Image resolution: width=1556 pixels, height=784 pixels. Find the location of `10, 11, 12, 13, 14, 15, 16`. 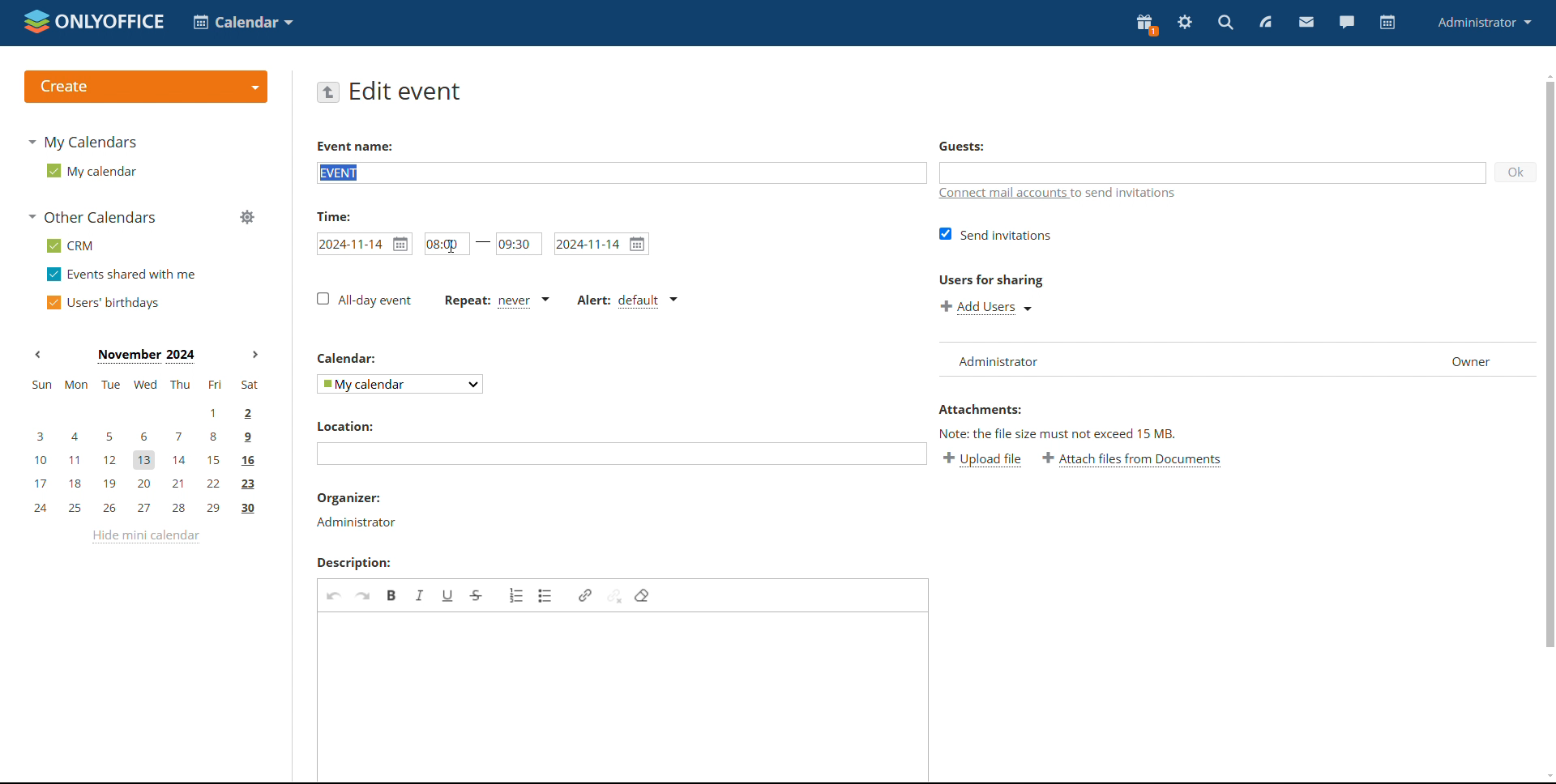

10, 11, 12, 13, 14, 15, 16 is located at coordinates (153, 457).